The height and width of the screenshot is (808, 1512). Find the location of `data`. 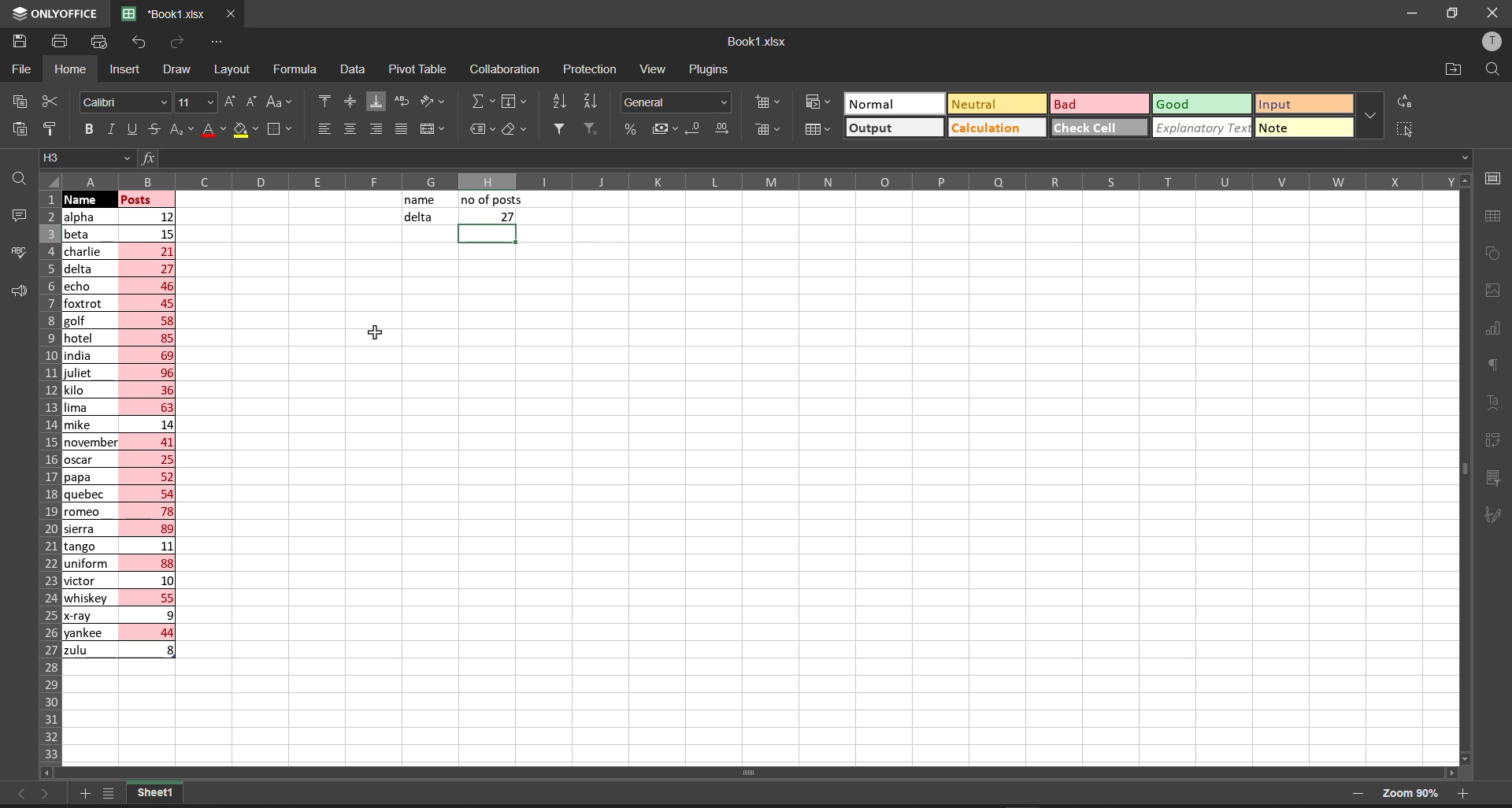

data is located at coordinates (353, 69).